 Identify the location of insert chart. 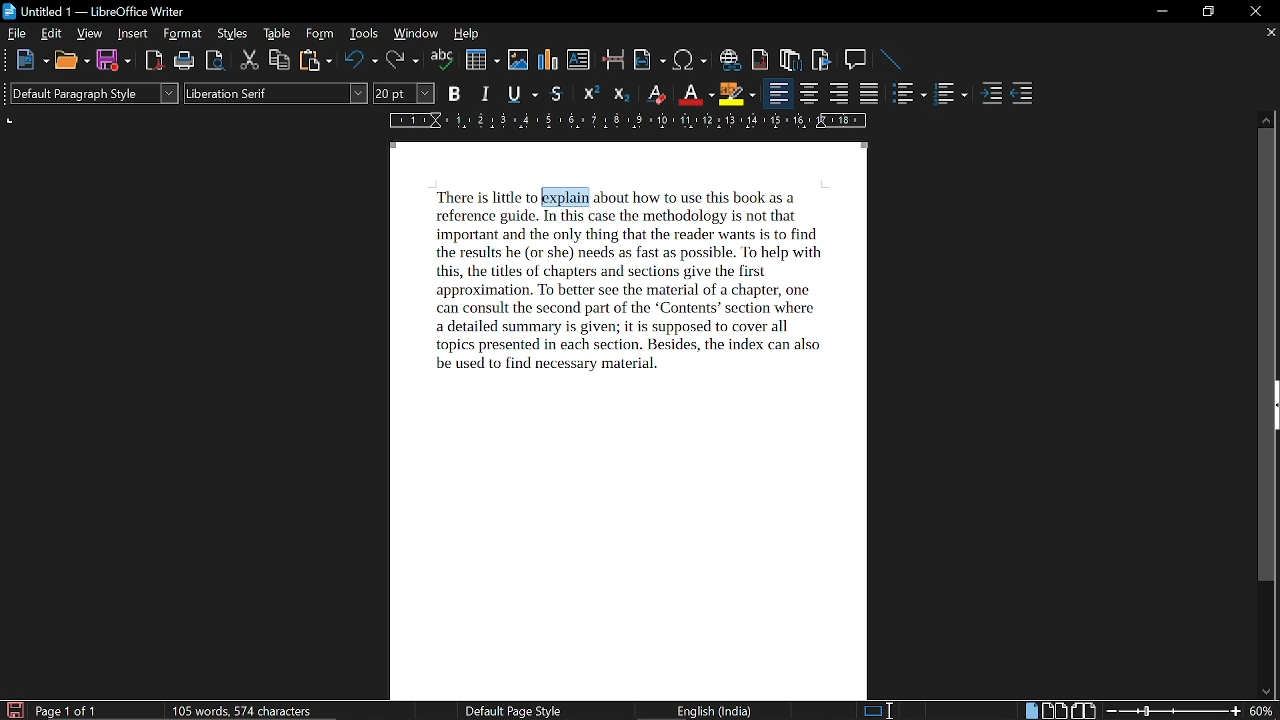
(549, 60).